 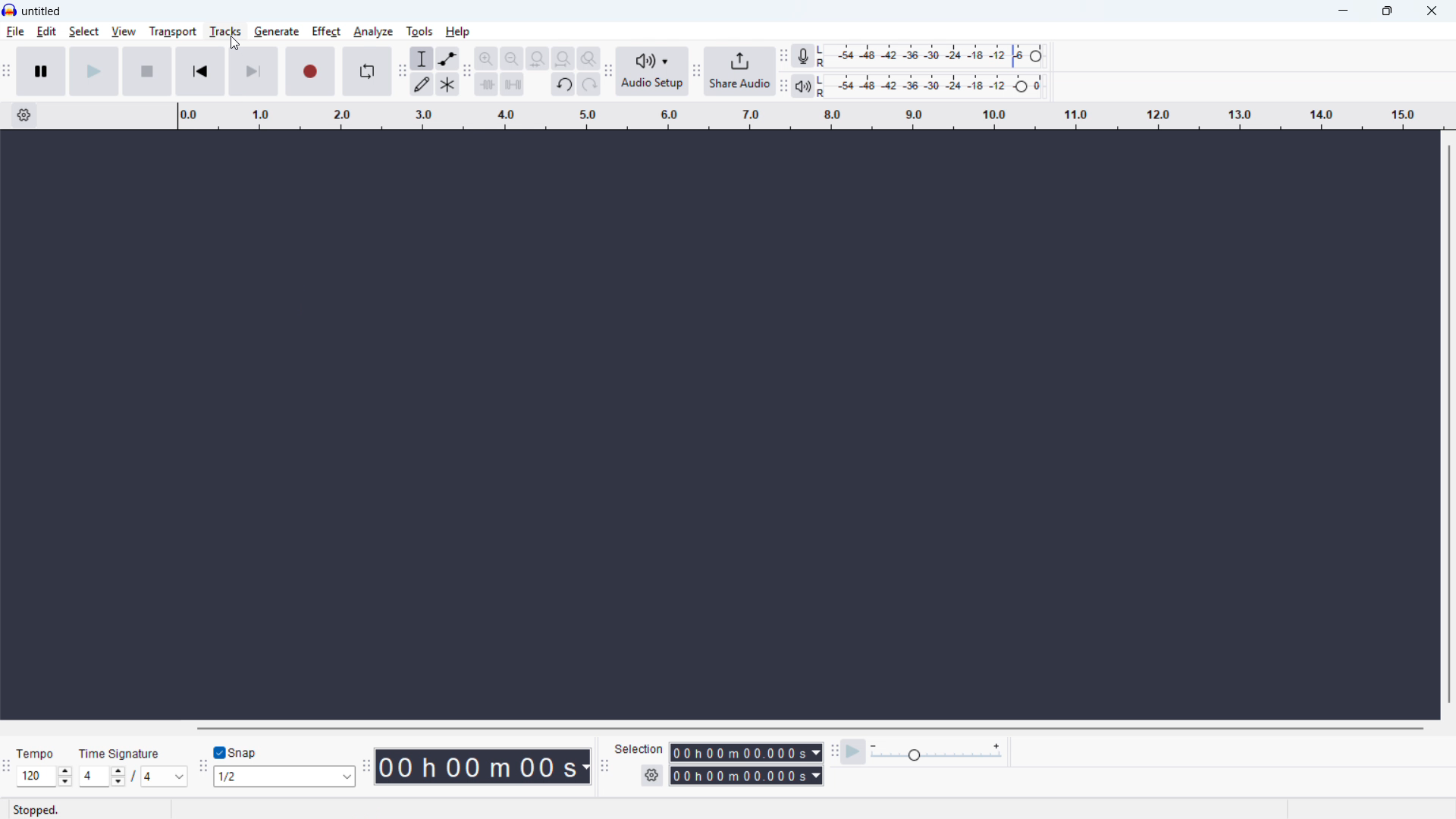 I want to click on Cursor , so click(x=236, y=43).